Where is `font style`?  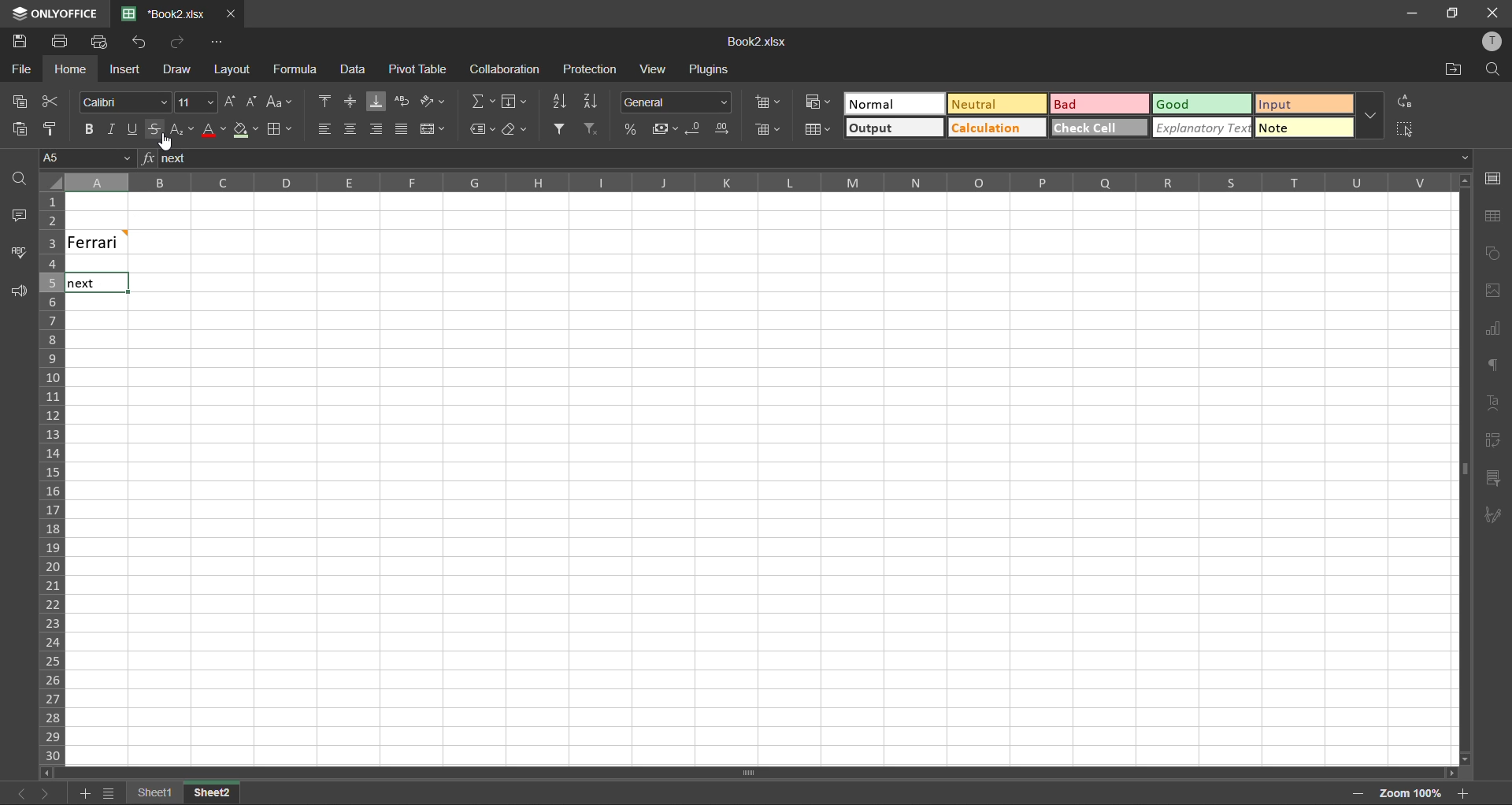 font style is located at coordinates (124, 102).